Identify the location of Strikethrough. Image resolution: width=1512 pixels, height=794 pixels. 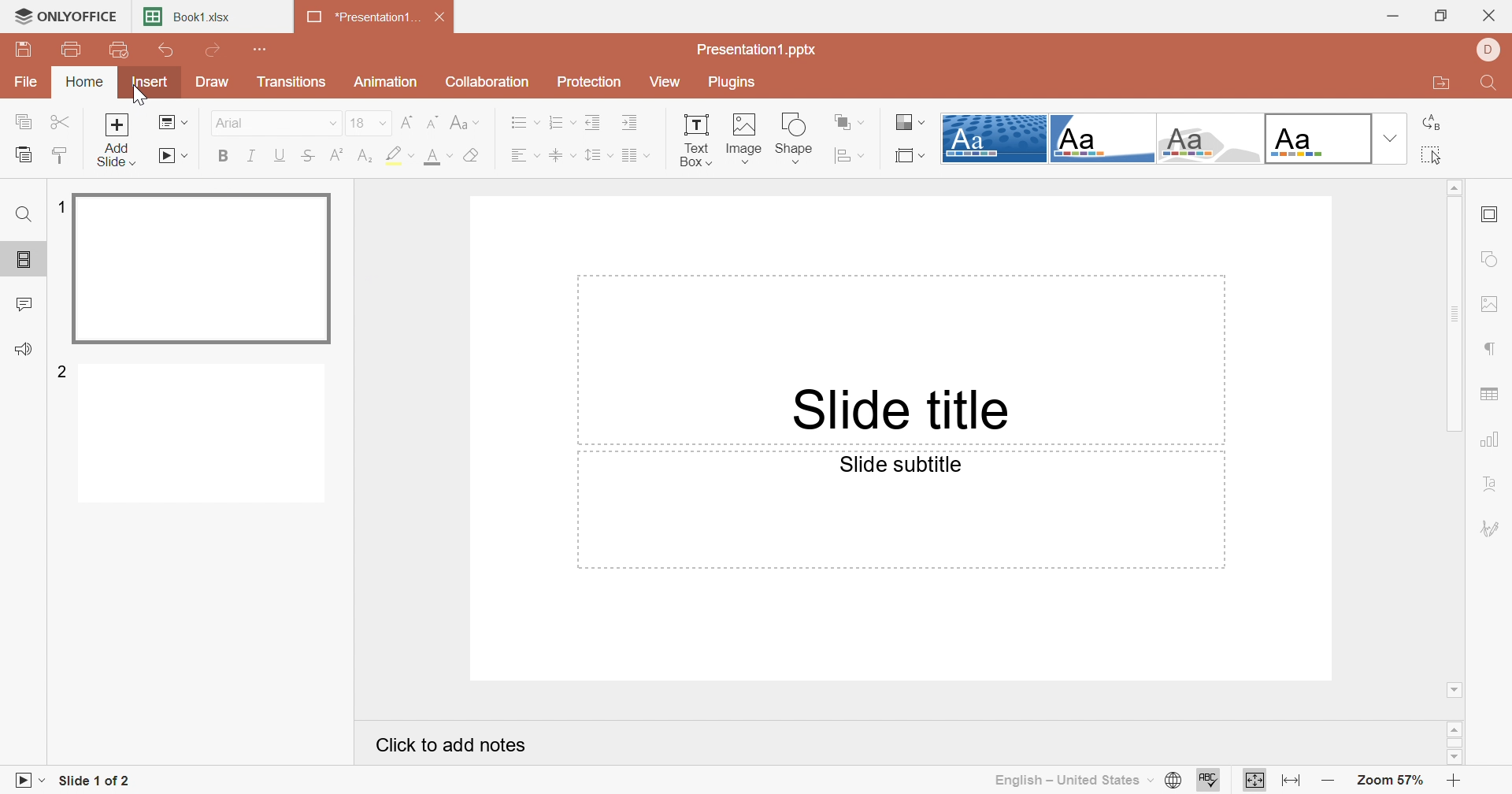
(309, 158).